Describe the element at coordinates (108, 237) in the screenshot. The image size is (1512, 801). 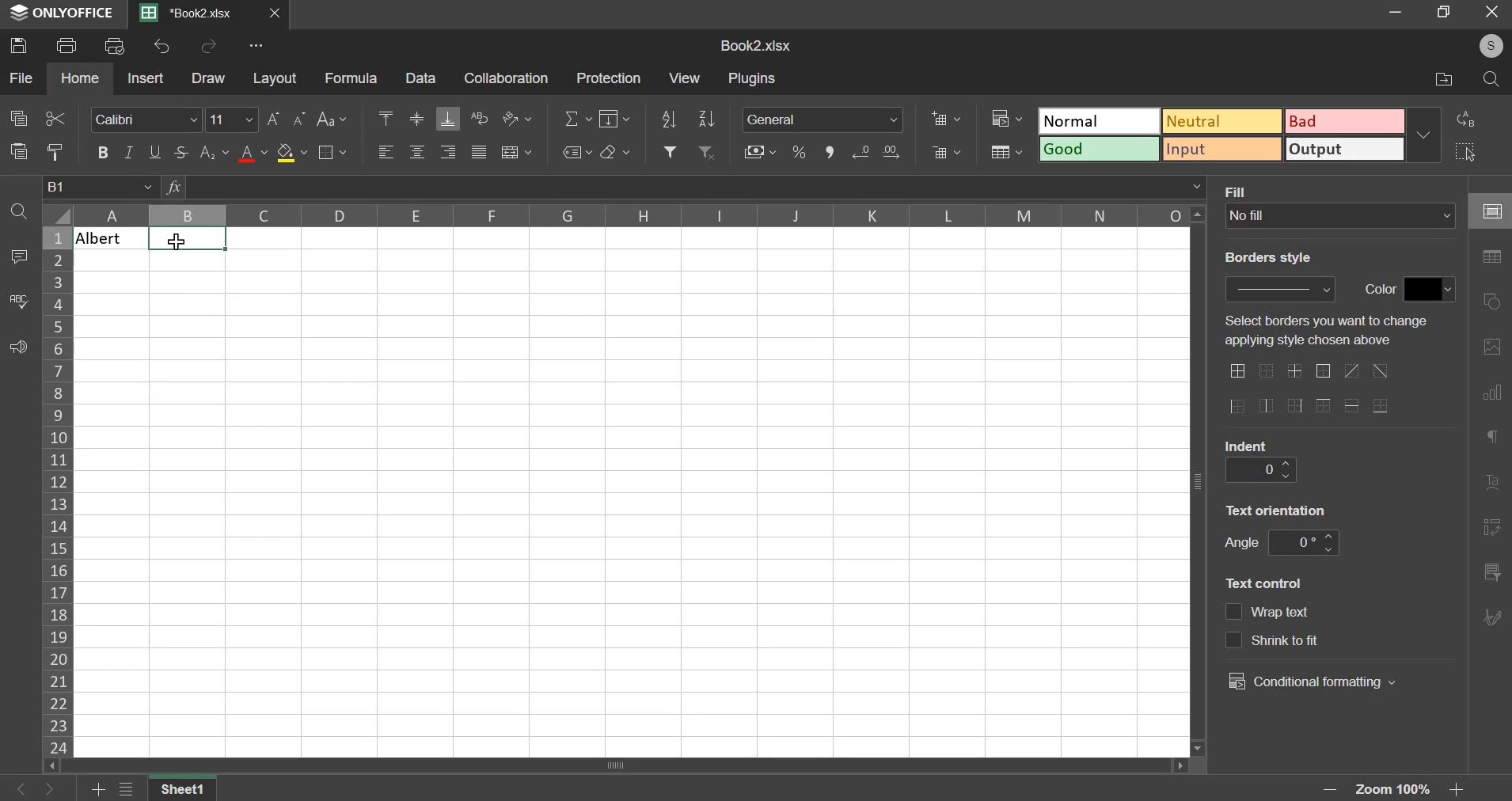
I see `Text` at that location.